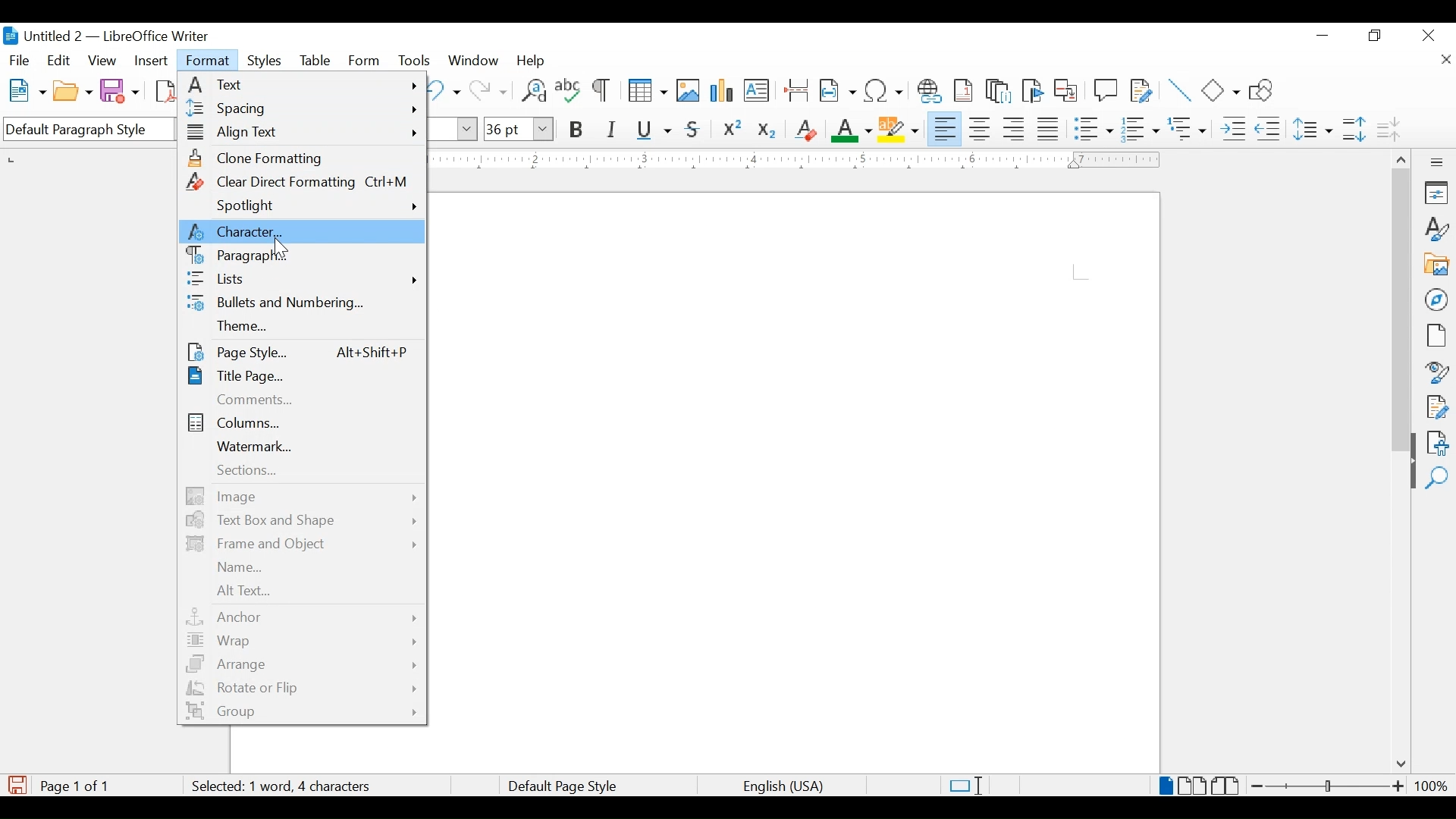  Describe the element at coordinates (302, 133) in the screenshot. I see `align text` at that location.